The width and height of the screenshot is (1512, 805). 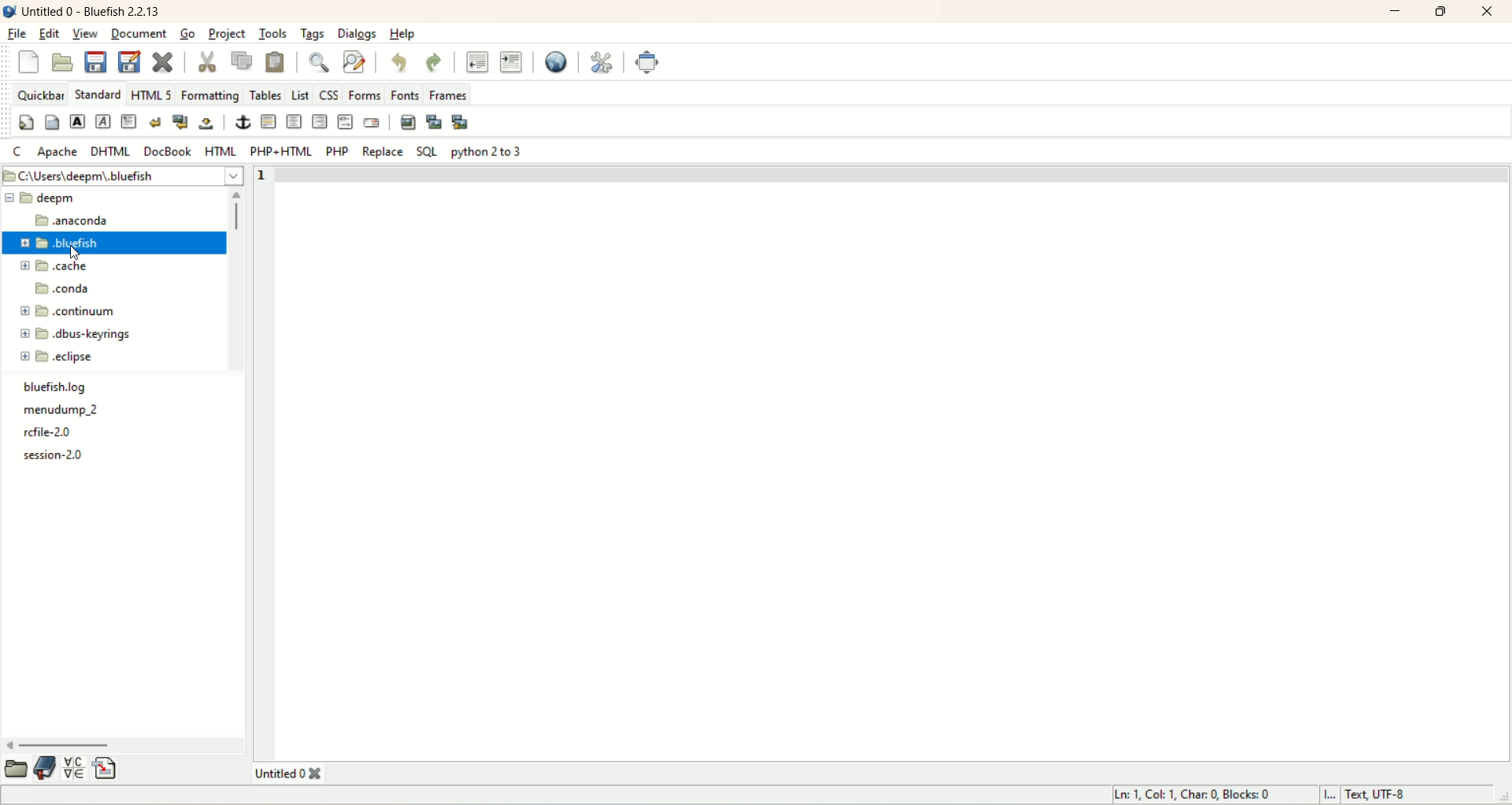 What do you see at coordinates (187, 35) in the screenshot?
I see `go` at bounding box center [187, 35].